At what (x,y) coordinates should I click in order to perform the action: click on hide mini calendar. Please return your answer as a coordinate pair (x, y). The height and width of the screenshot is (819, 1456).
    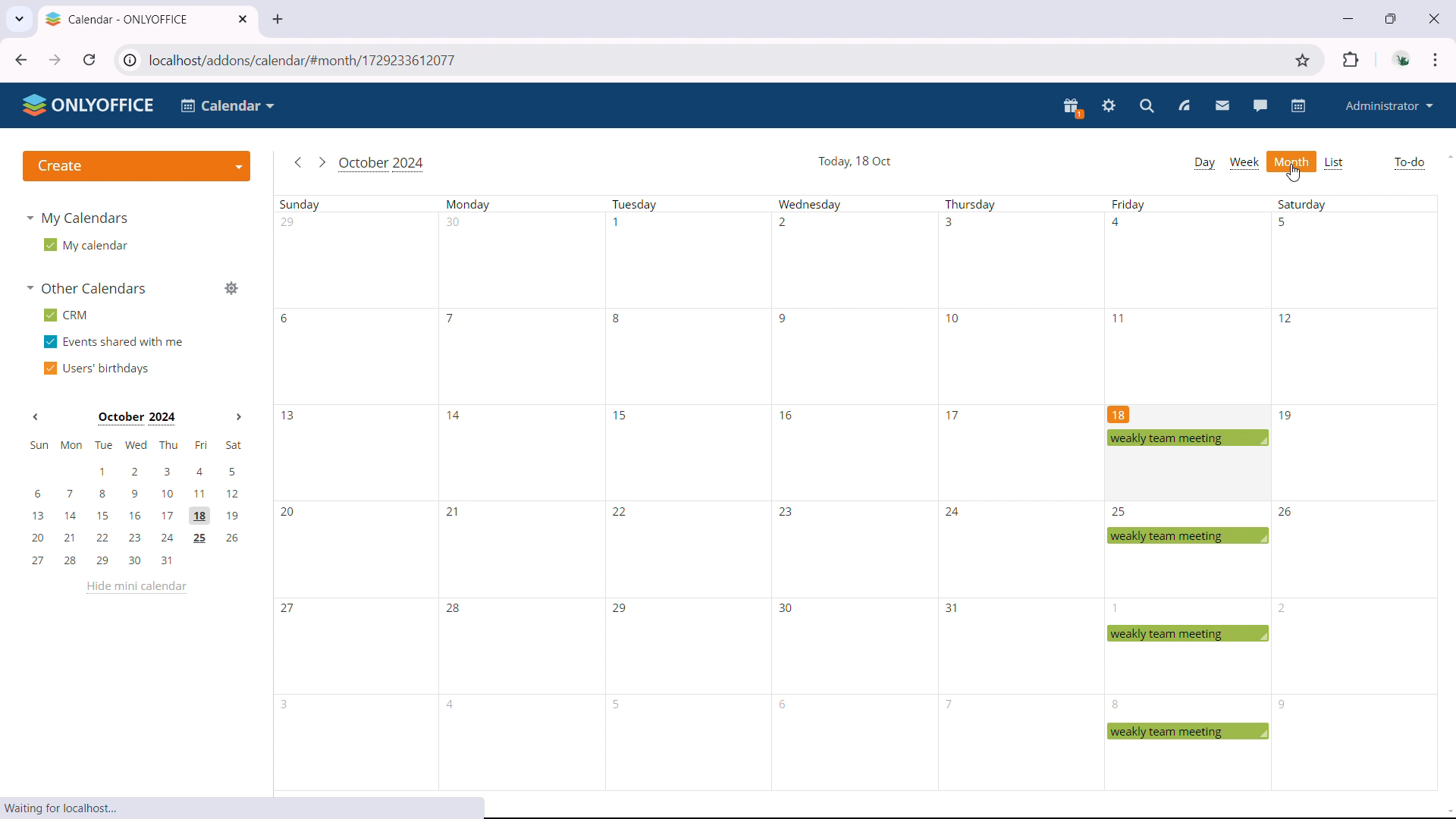
    Looking at the image, I should click on (135, 589).